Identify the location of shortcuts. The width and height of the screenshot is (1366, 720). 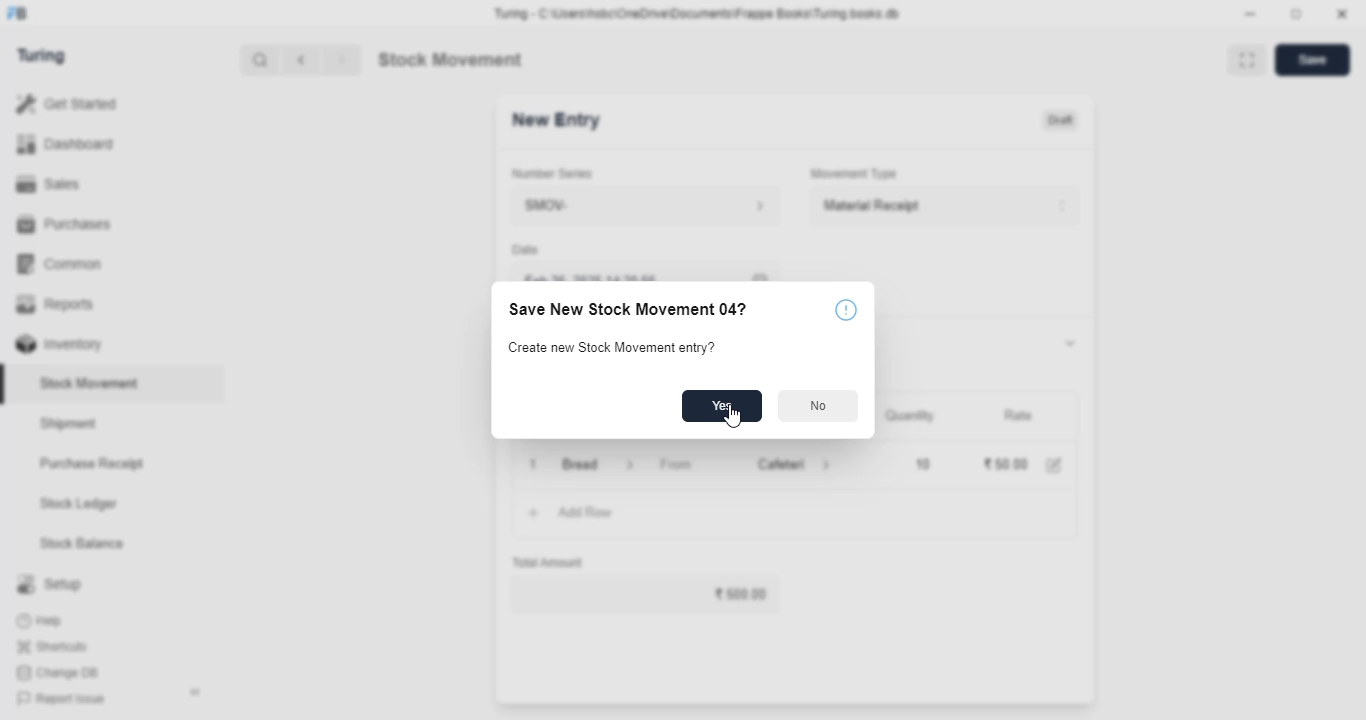
(52, 647).